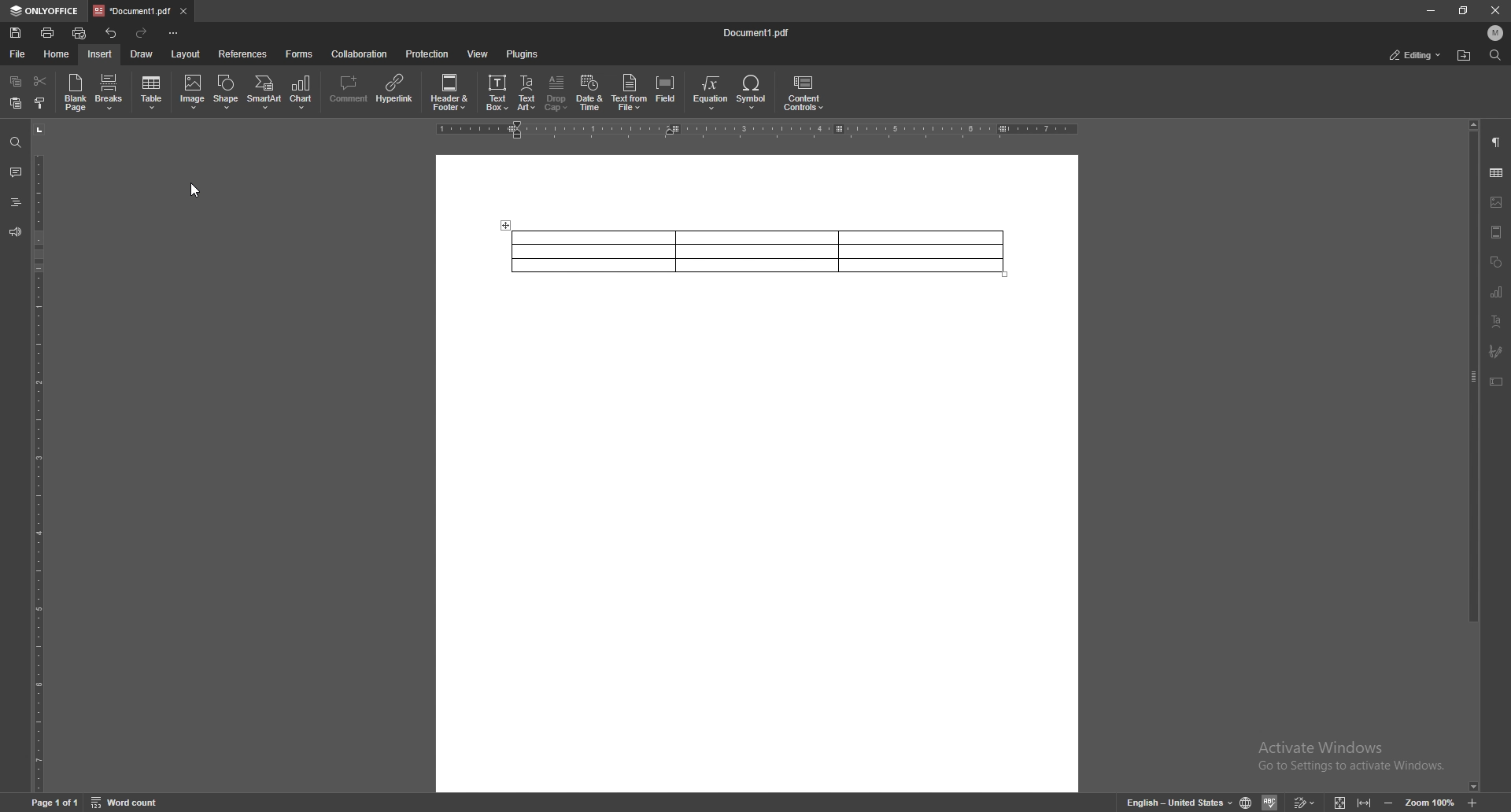 This screenshot has width=1511, height=812. What do you see at coordinates (526, 92) in the screenshot?
I see `text art` at bounding box center [526, 92].